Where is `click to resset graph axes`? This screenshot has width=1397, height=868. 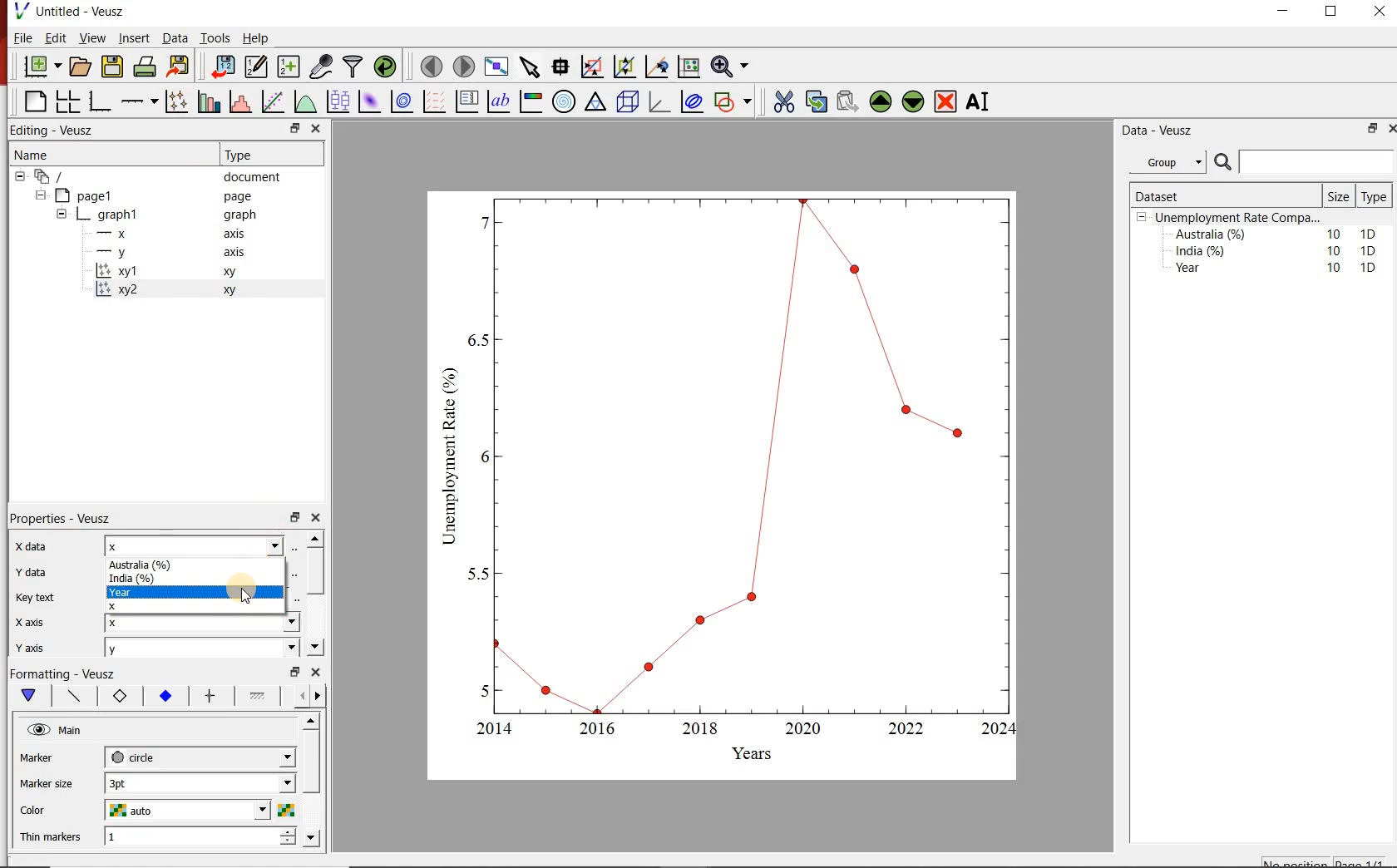 click to resset graph axes is located at coordinates (689, 65).